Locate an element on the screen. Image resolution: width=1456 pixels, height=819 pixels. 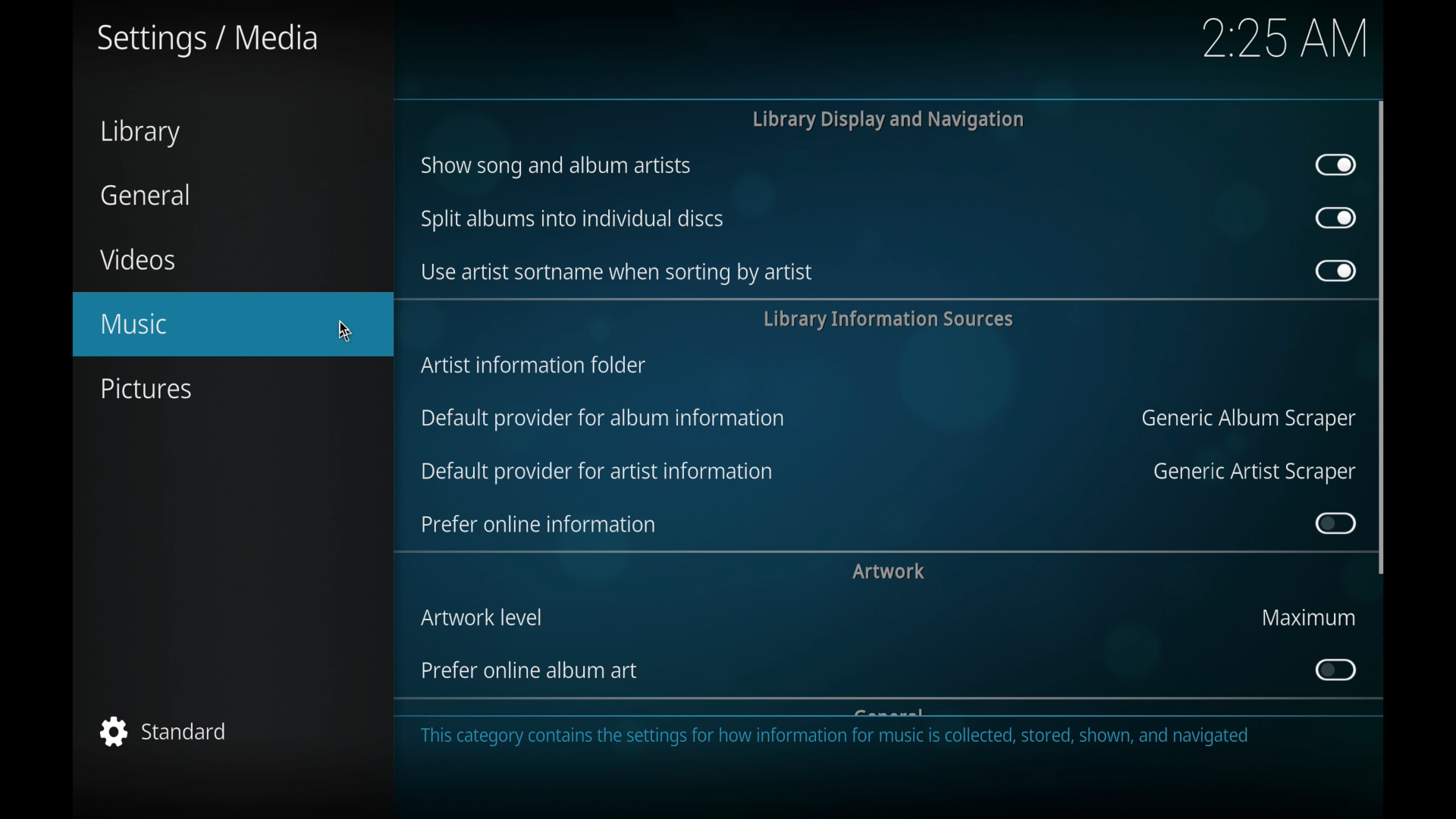
generic artist scraper is located at coordinates (1252, 473).